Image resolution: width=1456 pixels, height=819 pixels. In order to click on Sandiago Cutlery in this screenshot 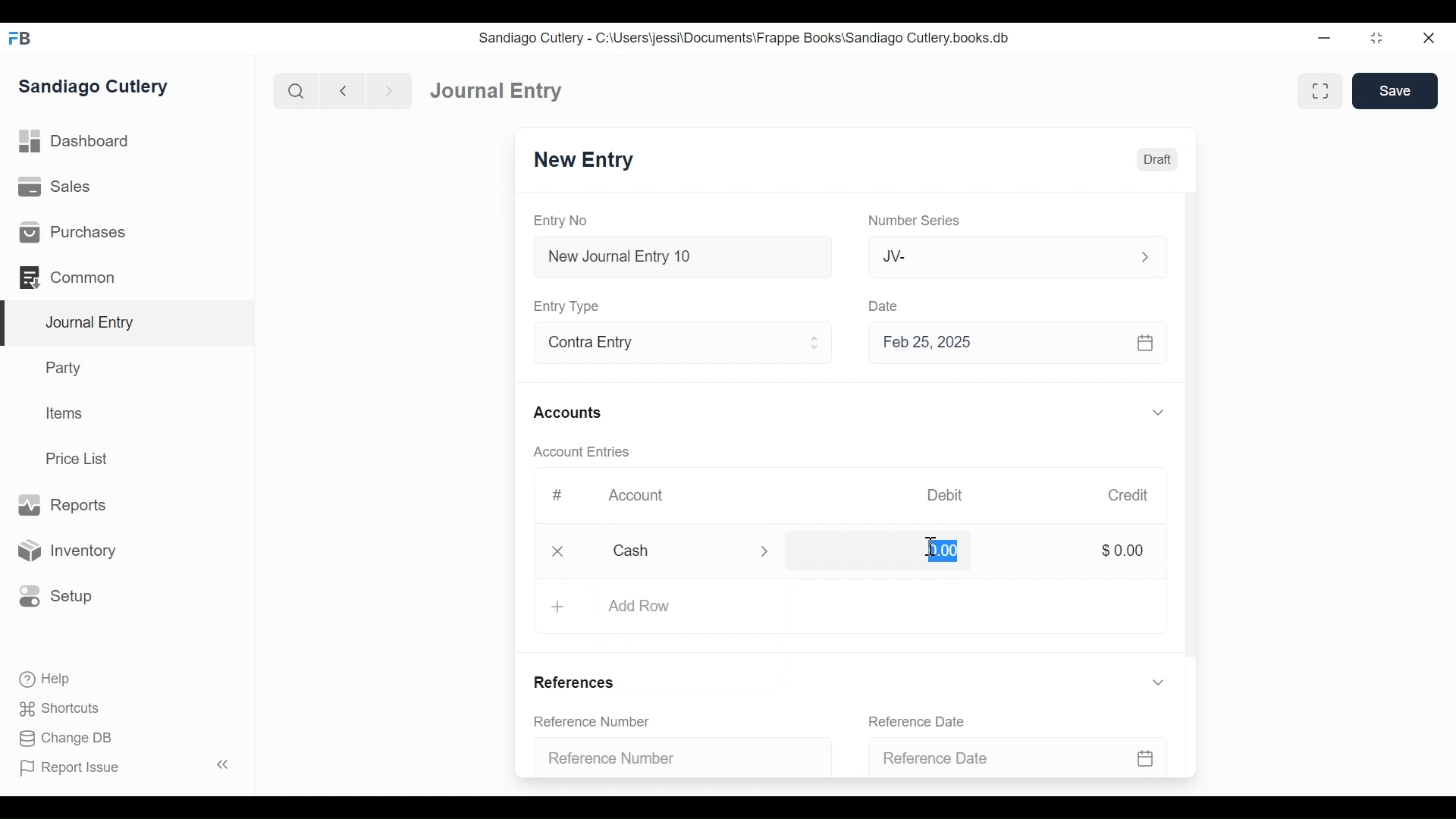, I will do `click(94, 87)`.